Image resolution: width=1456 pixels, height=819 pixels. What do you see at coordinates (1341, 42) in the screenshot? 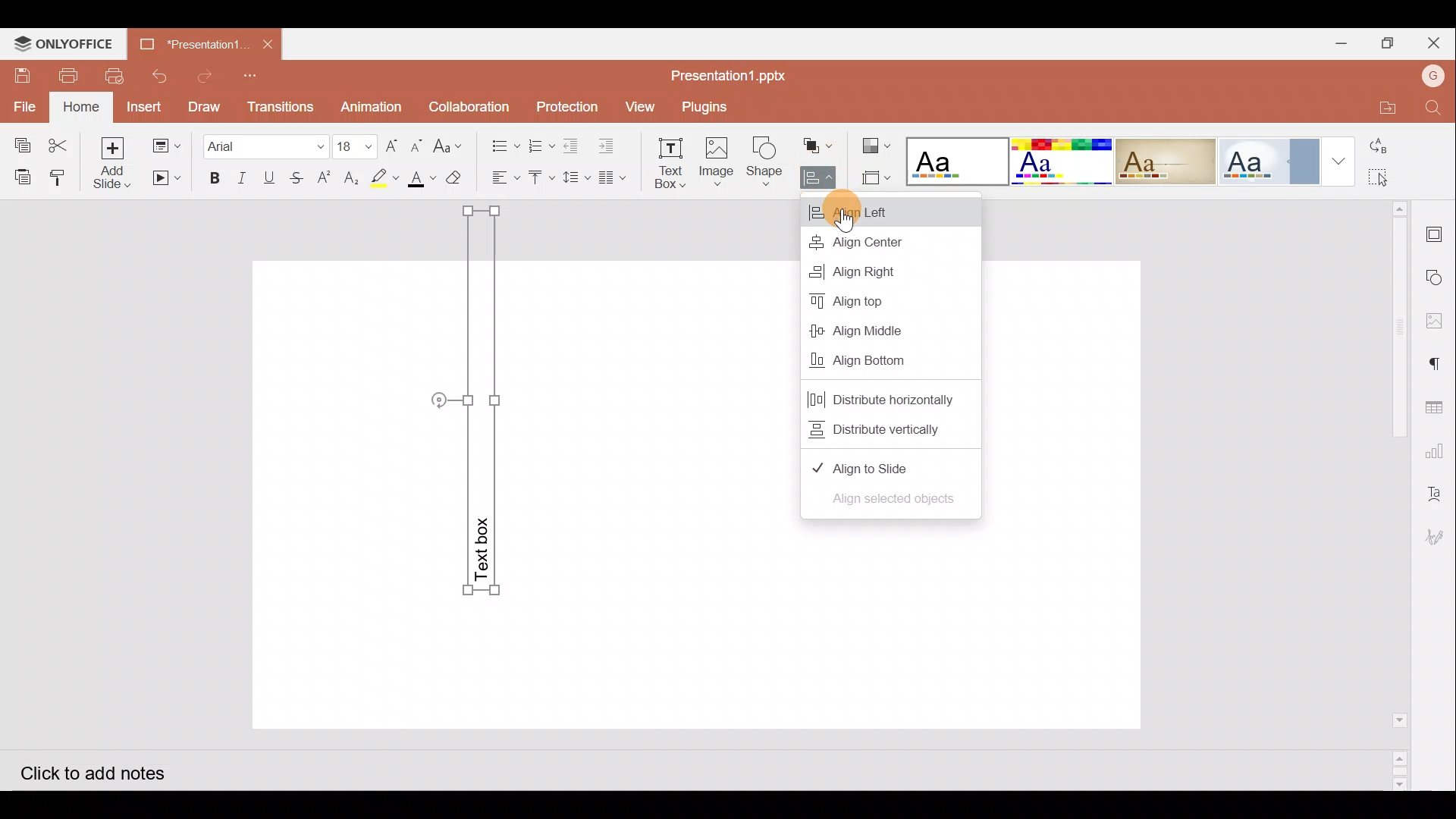
I see `Minimize` at bounding box center [1341, 42].